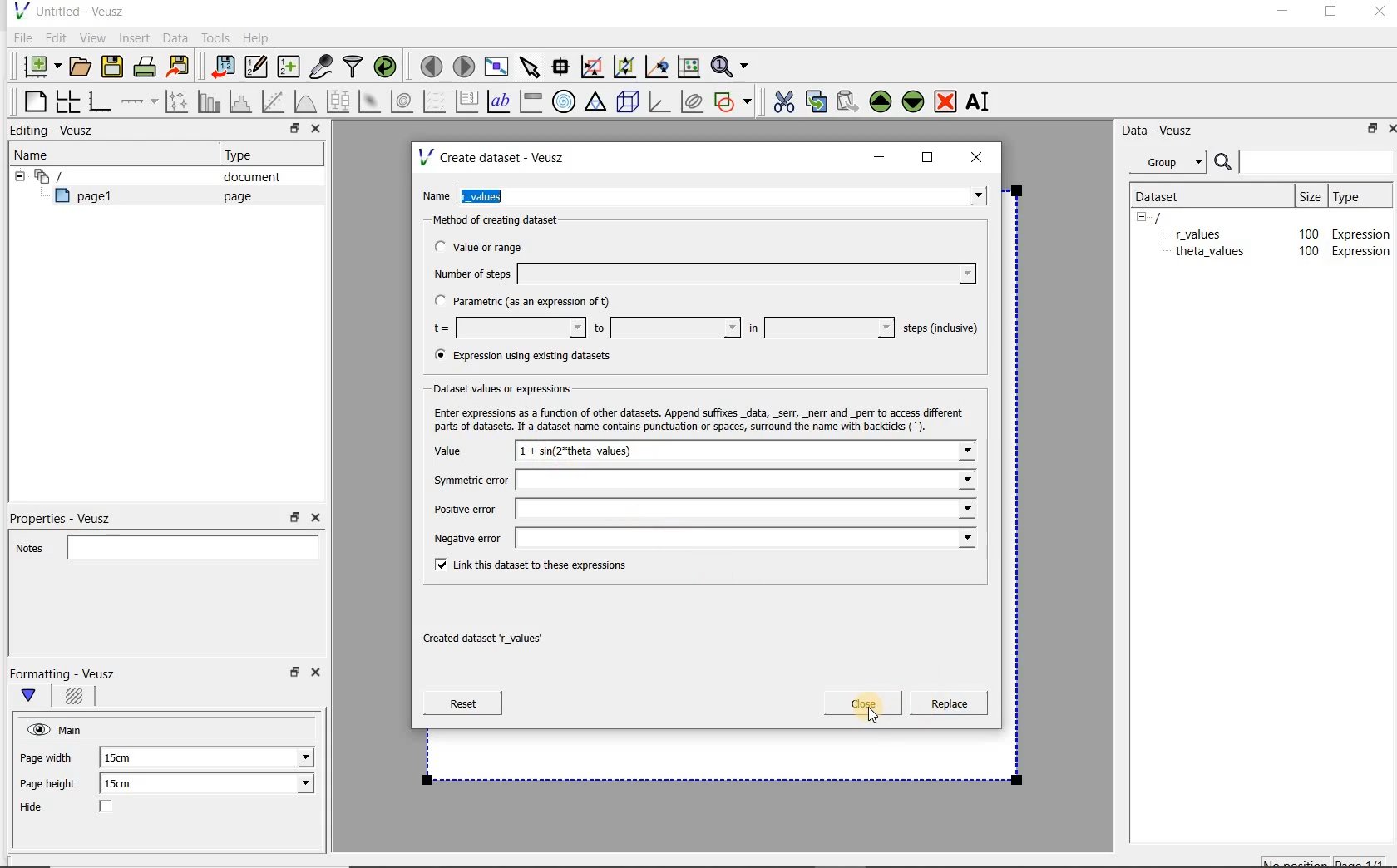 Image resolution: width=1397 pixels, height=868 pixels. What do you see at coordinates (747, 453) in the screenshot?
I see `1 + sin(2*theta_values)` at bounding box center [747, 453].